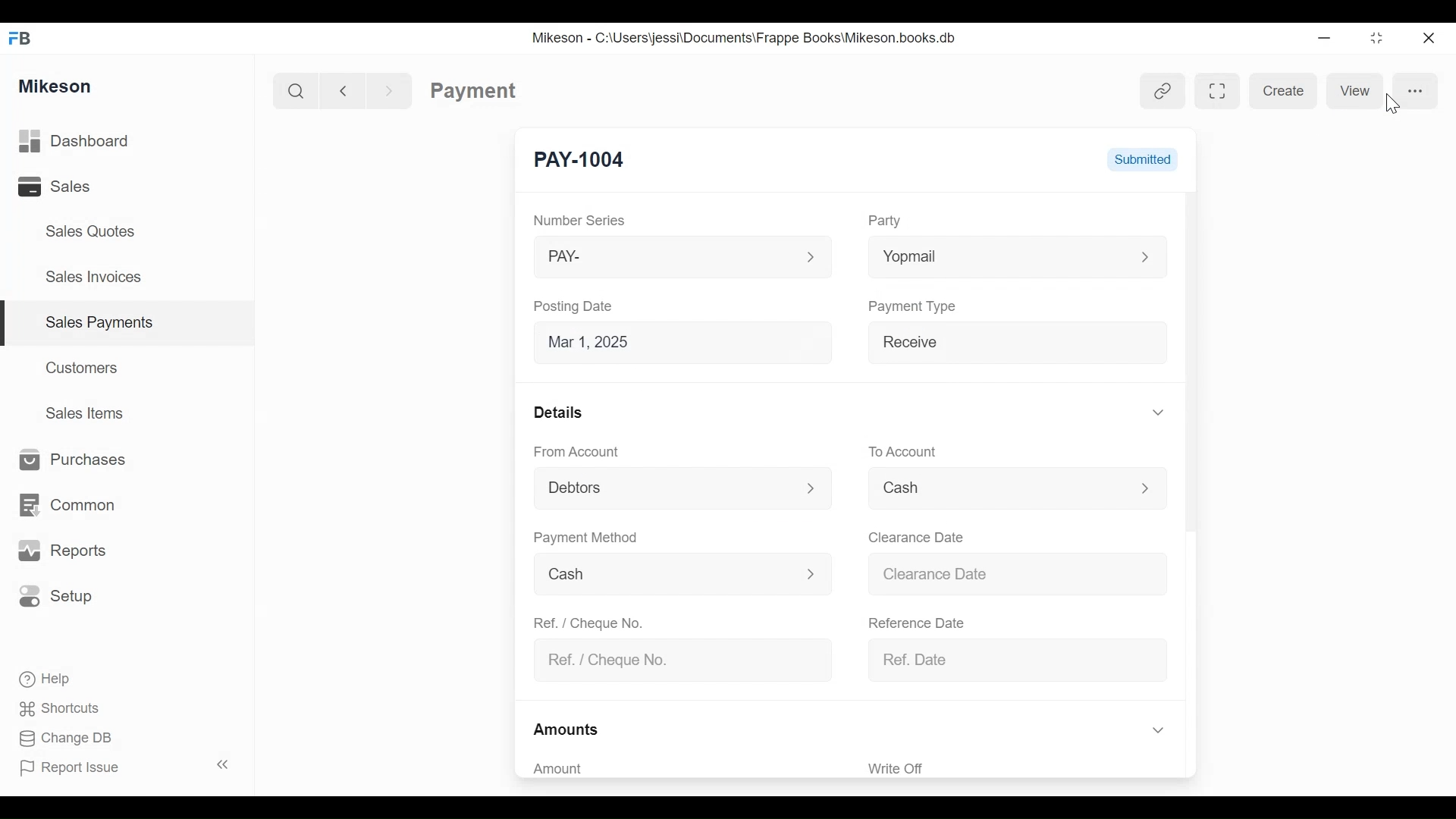 The width and height of the screenshot is (1456, 819). Describe the element at coordinates (53, 188) in the screenshot. I see `Sales` at that location.